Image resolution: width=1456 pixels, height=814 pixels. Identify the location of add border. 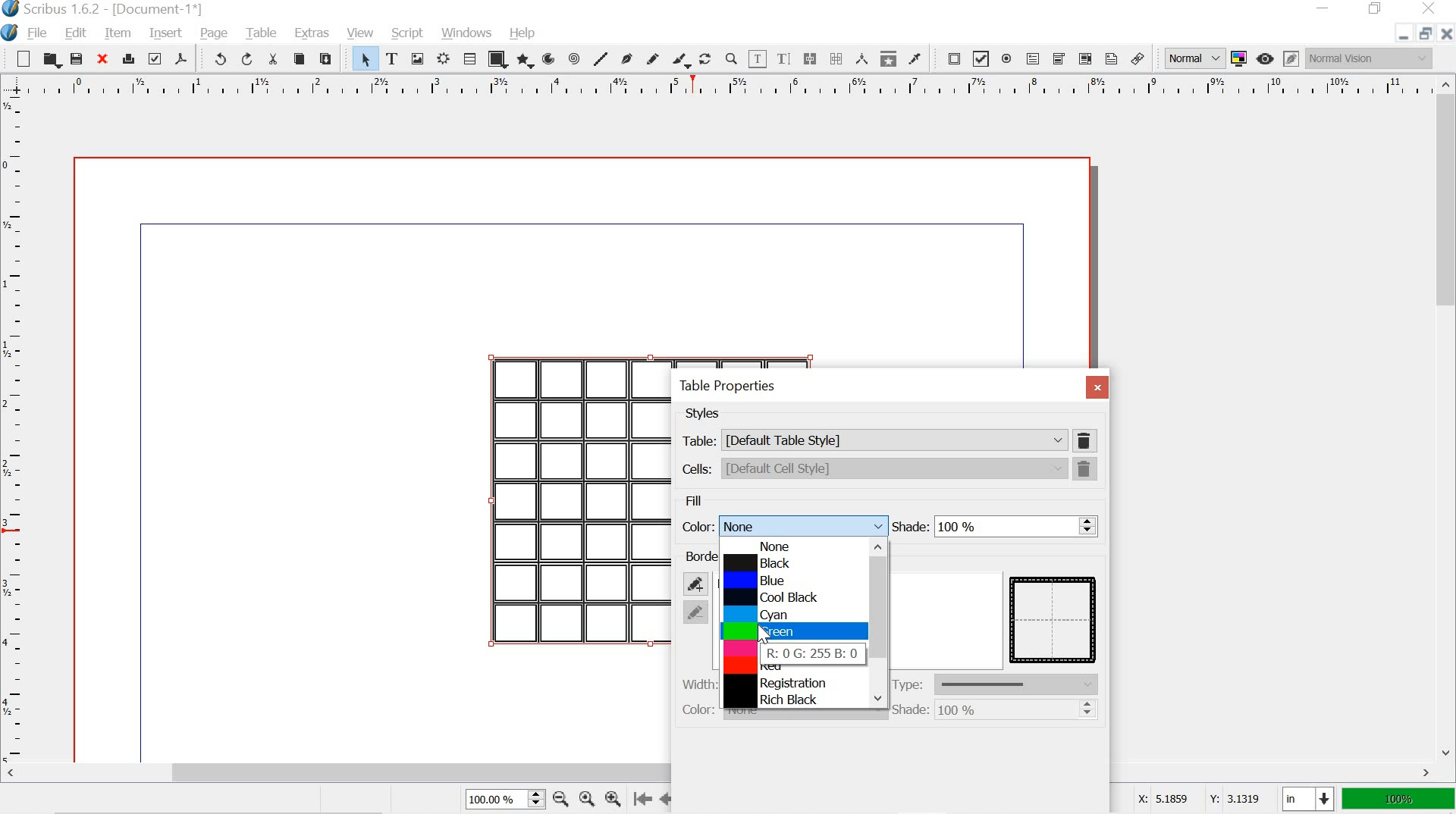
(695, 583).